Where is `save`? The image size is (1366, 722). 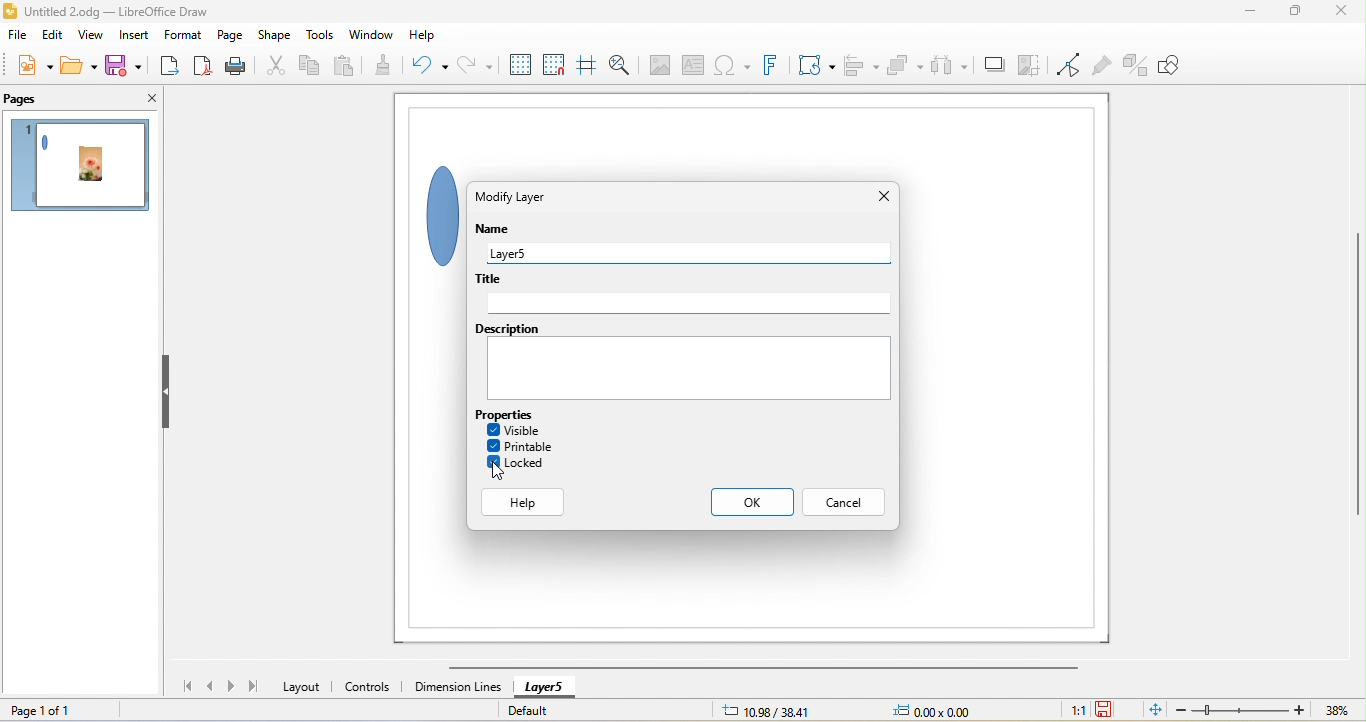
save is located at coordinates (121, 65).